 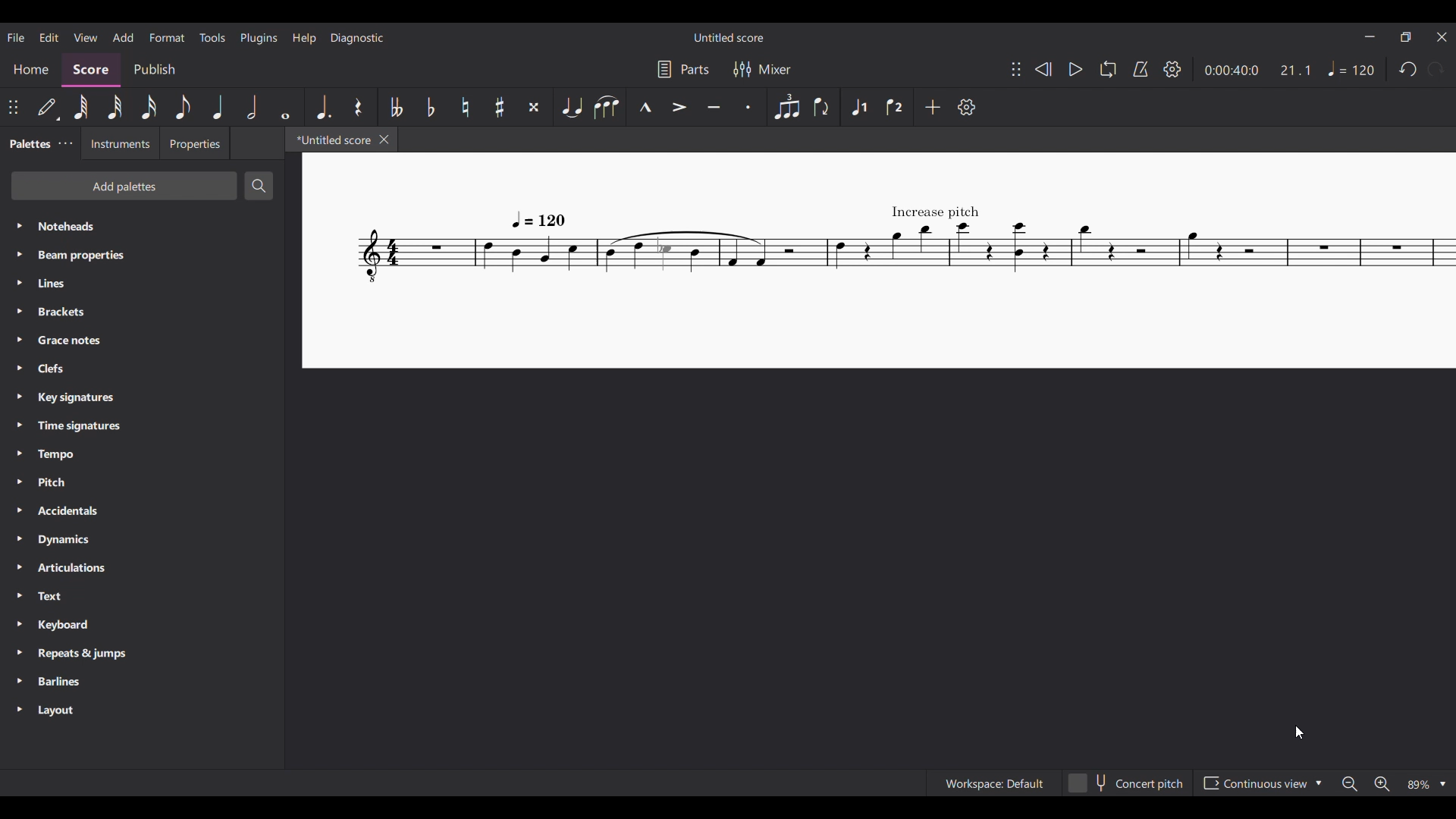 What do you see at coordinates (141, 596) in the screenshot?
I see `Text` at bounding box center [141, 596].